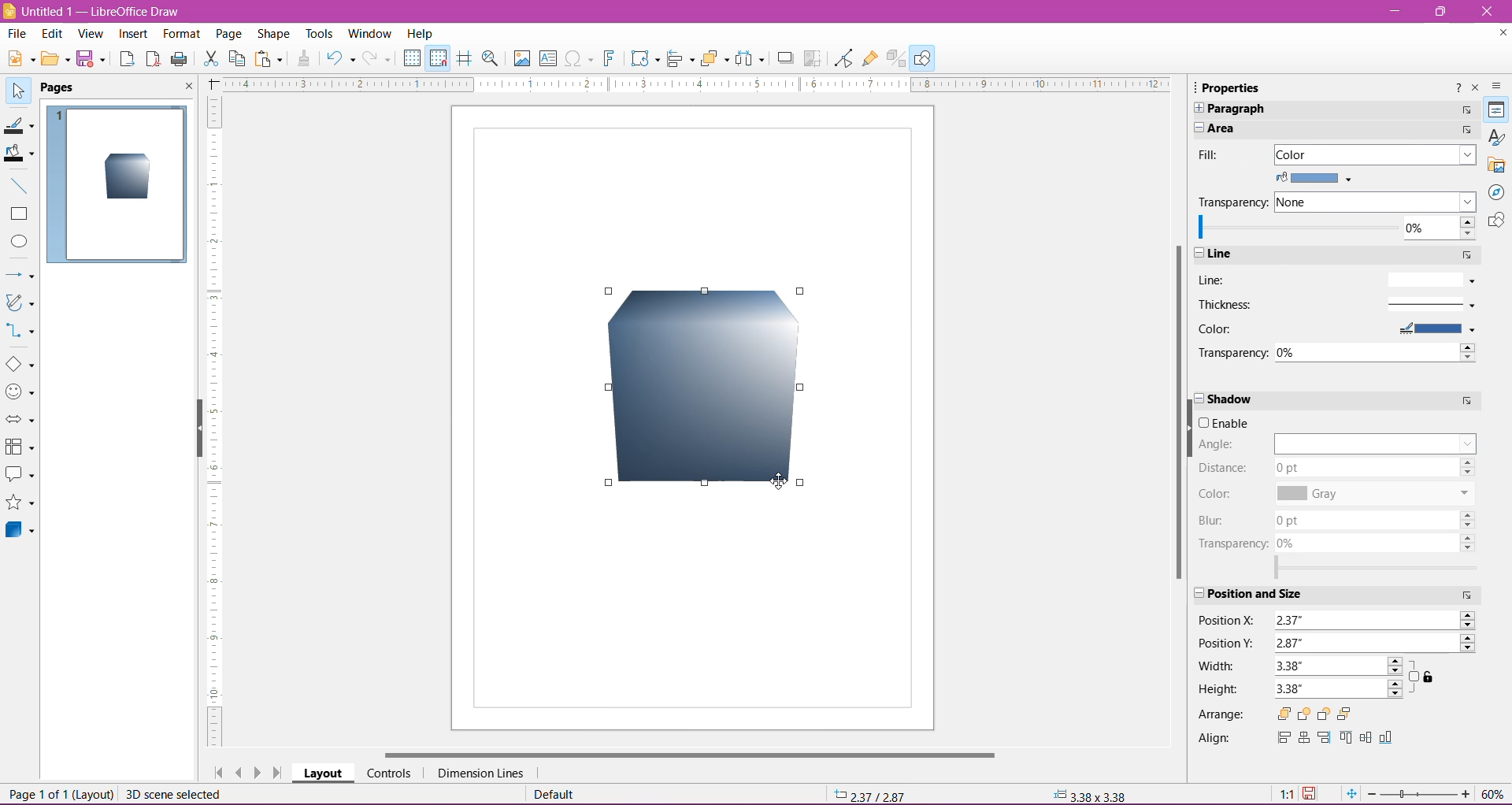 This screenshot has width=1512, height=805. What do you see at coordinates (687, 755) in the screenshot?
I see `Horizontal Scroll Bar` at bounding box center [687, 755].